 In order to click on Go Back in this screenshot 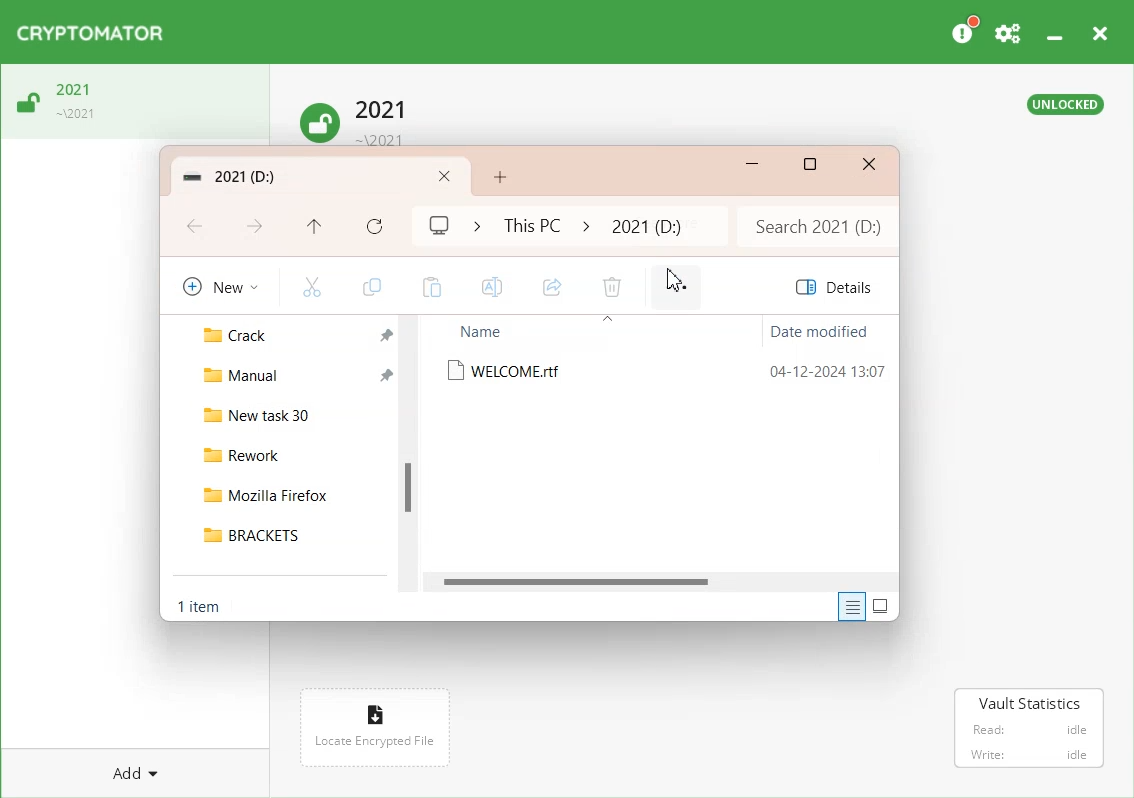, I will do `click(196, 228)`.